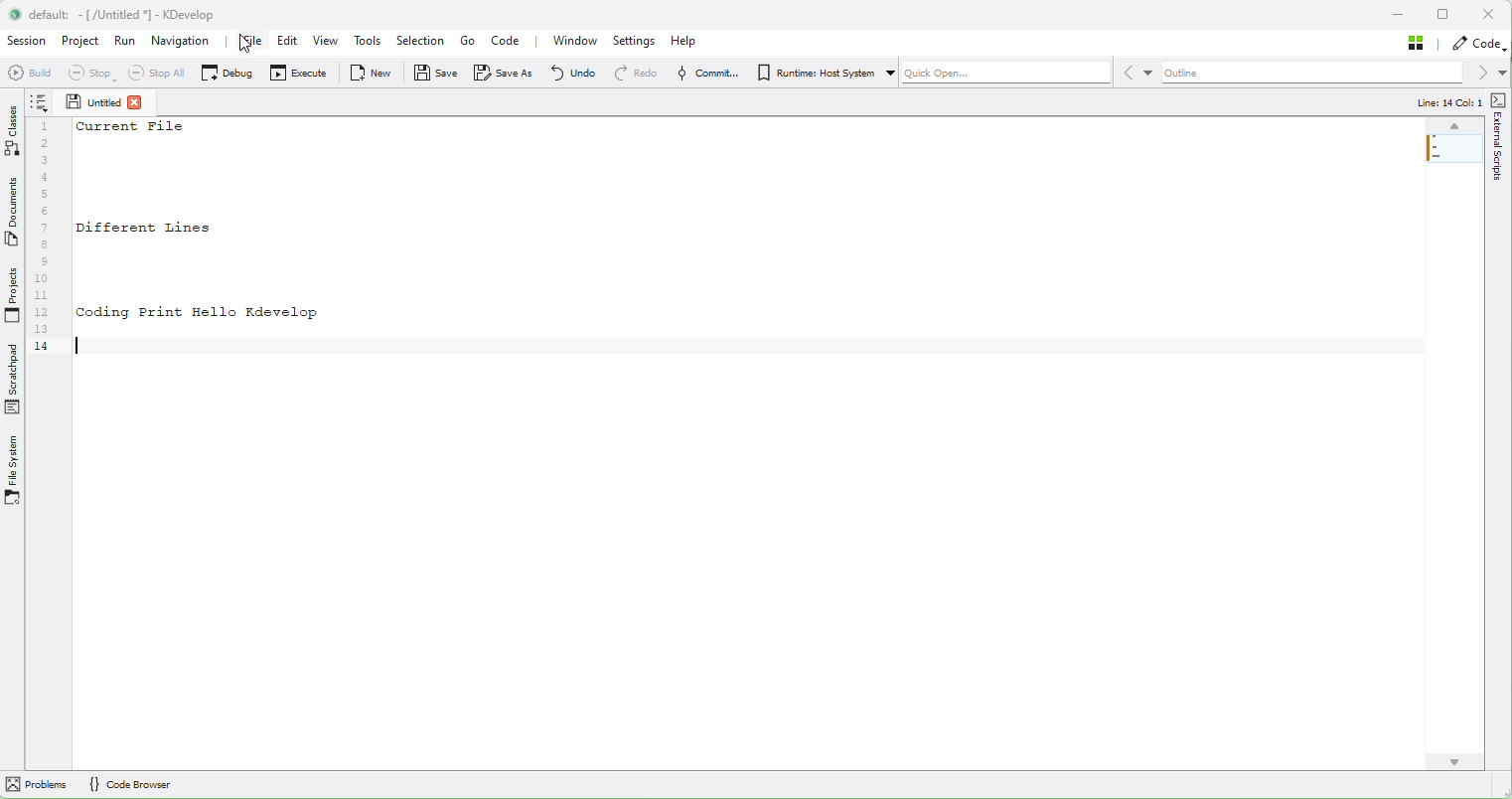  What do you see at coordinates (1497, 183) in the screenshot?
I see `external scripts` at bounding box center [1497, 183].